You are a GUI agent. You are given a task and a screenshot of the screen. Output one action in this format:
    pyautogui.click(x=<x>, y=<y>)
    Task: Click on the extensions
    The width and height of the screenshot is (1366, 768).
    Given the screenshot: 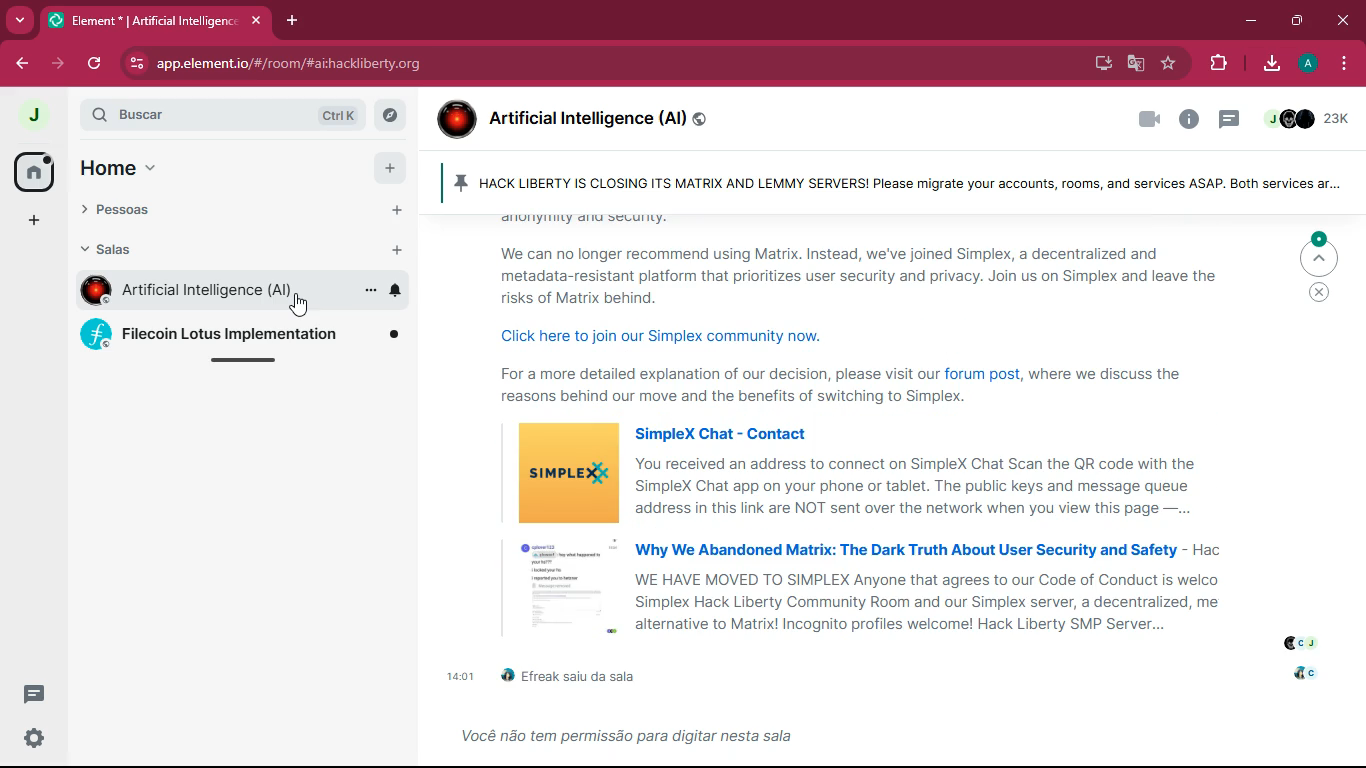 What is the action you would take?
    pyautogui.click(x=1217, y=63)
    